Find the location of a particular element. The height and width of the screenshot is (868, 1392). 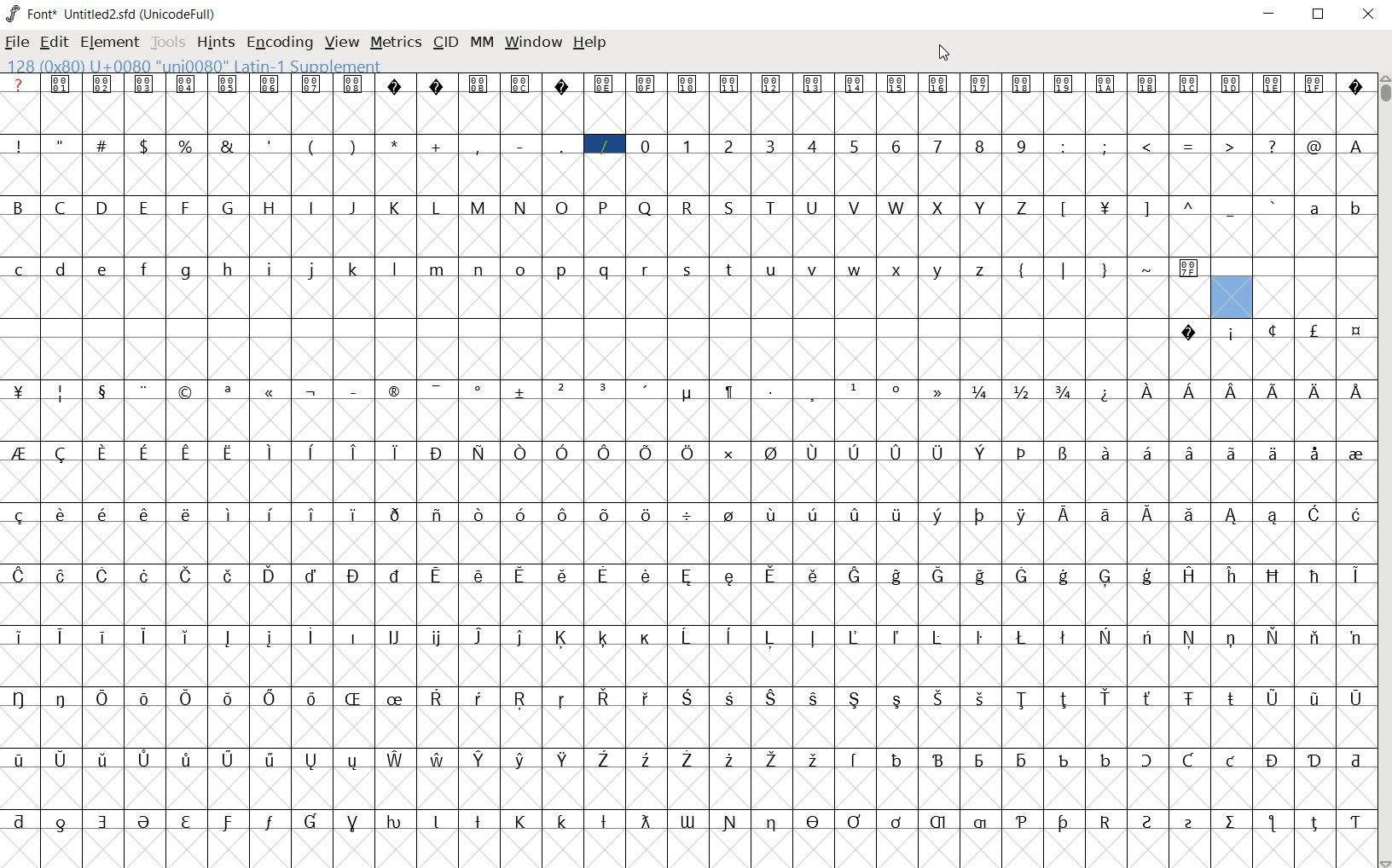

glyph is located at coordinates (1231, 761).